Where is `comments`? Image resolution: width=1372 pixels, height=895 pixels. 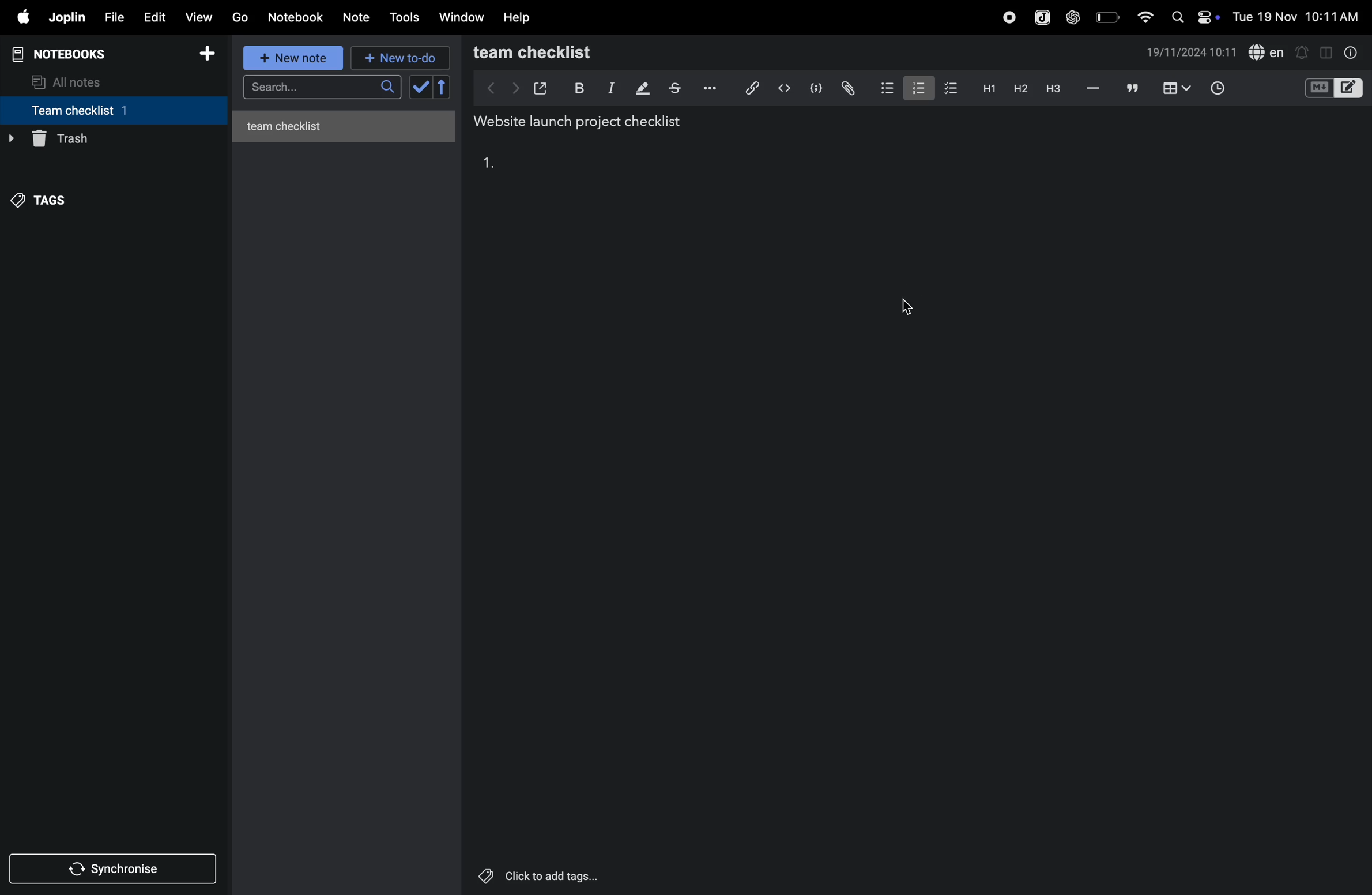
comments is located at coordinates (1130, 89).